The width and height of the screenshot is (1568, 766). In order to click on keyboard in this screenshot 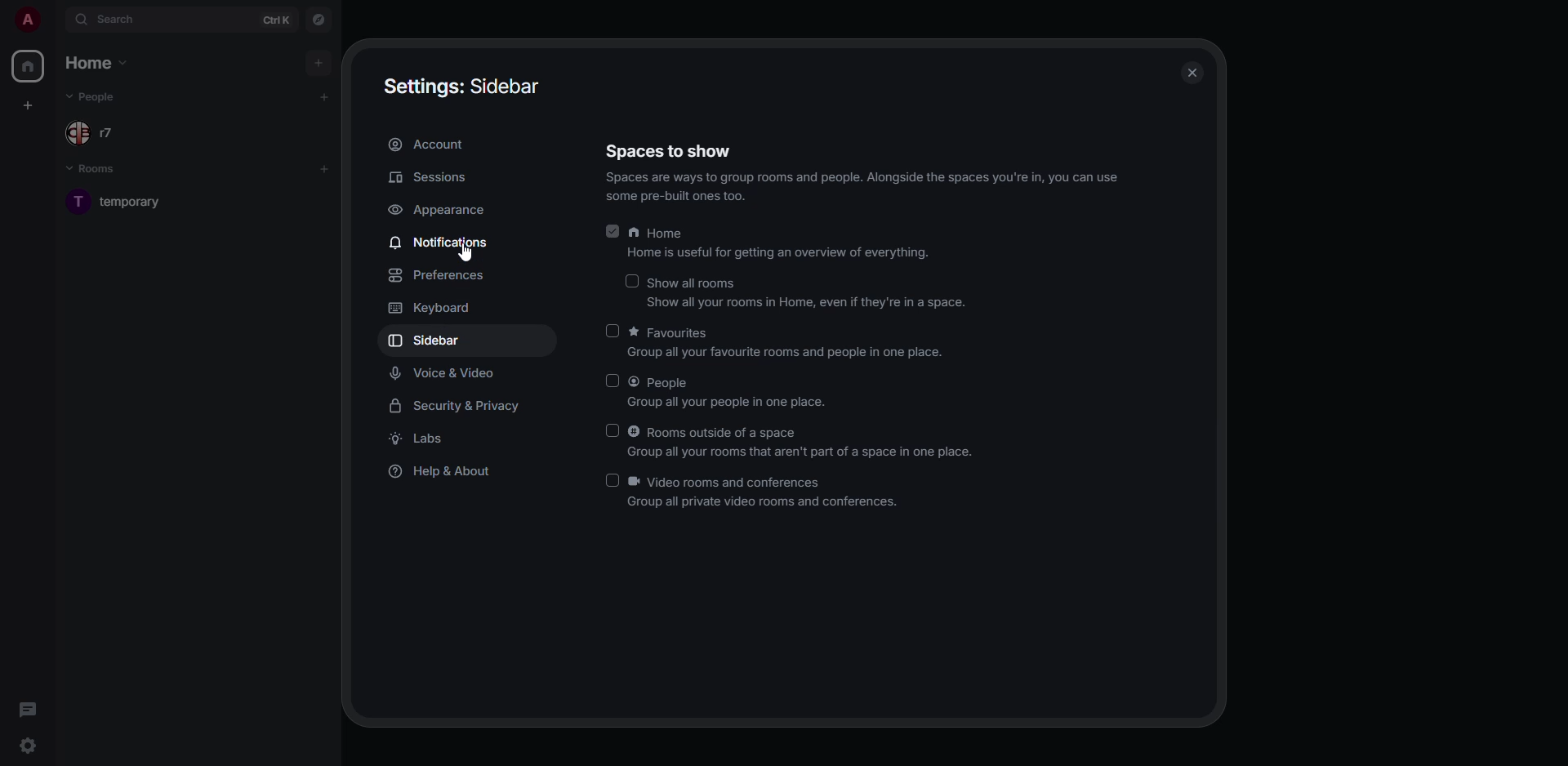, I will do `click(429, 306)`.